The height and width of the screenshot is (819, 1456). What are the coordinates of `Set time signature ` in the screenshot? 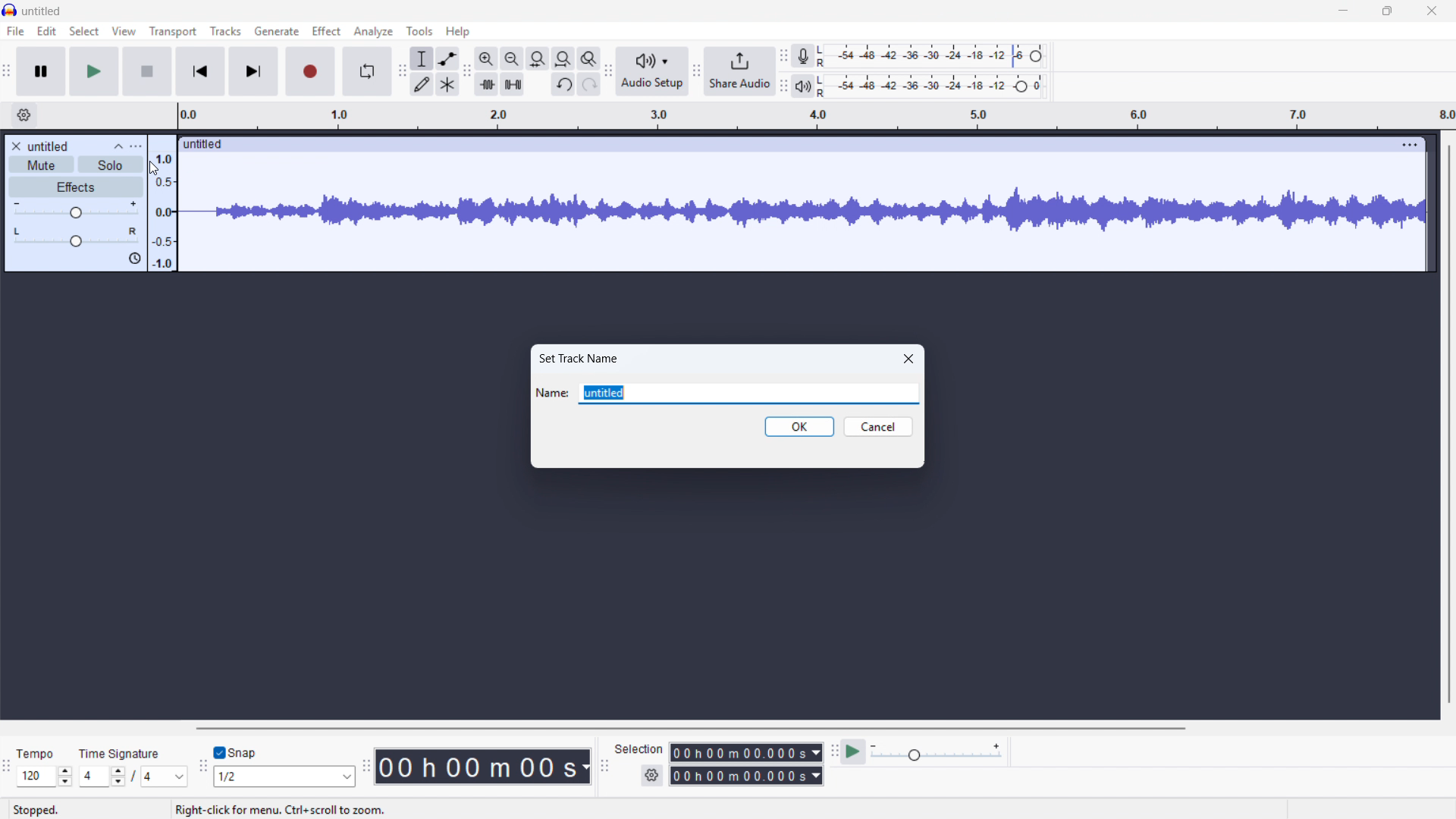 It's located at (134, 777).